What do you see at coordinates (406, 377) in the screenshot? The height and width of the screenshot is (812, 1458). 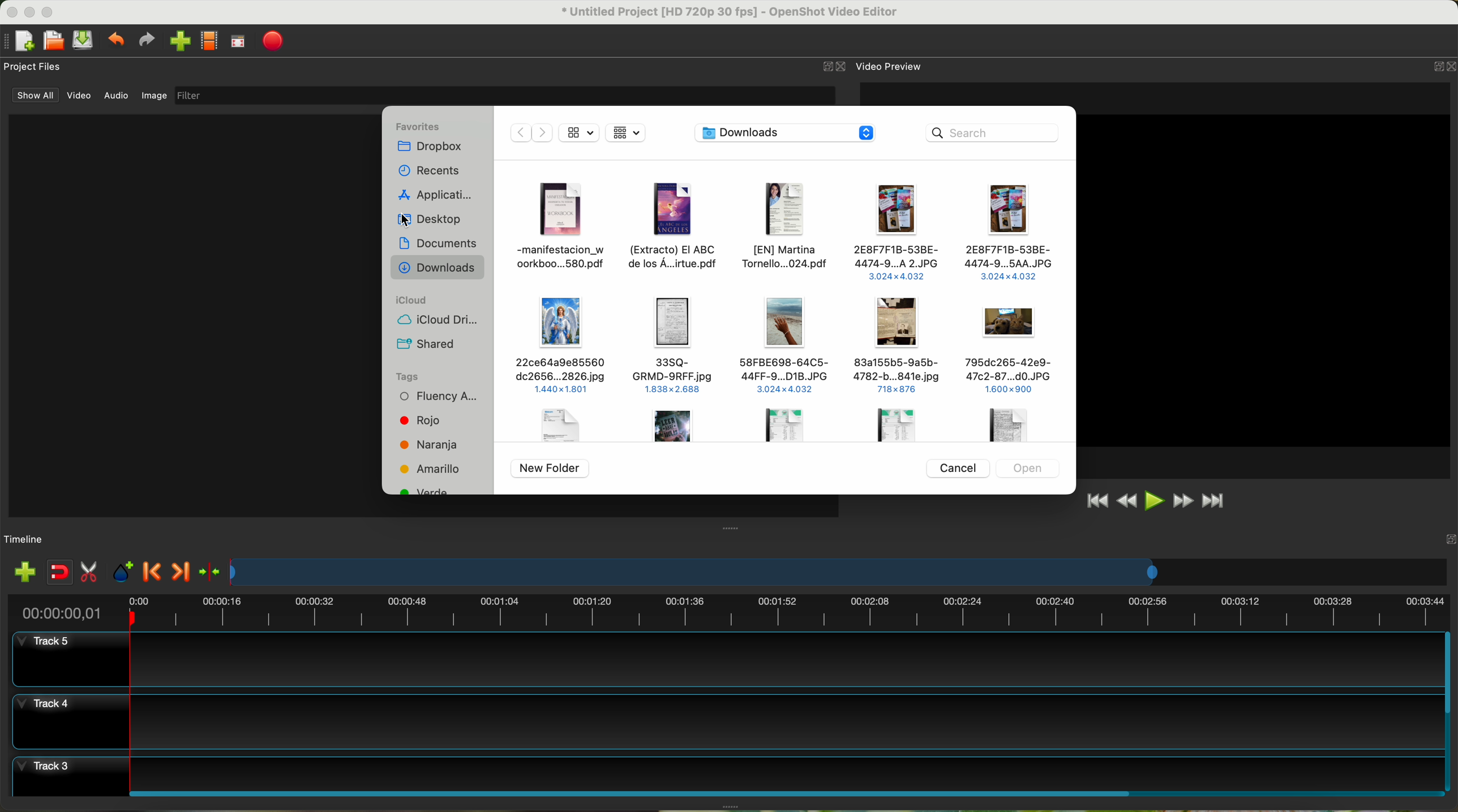 I see `tags` at bounding box center [406, 377].